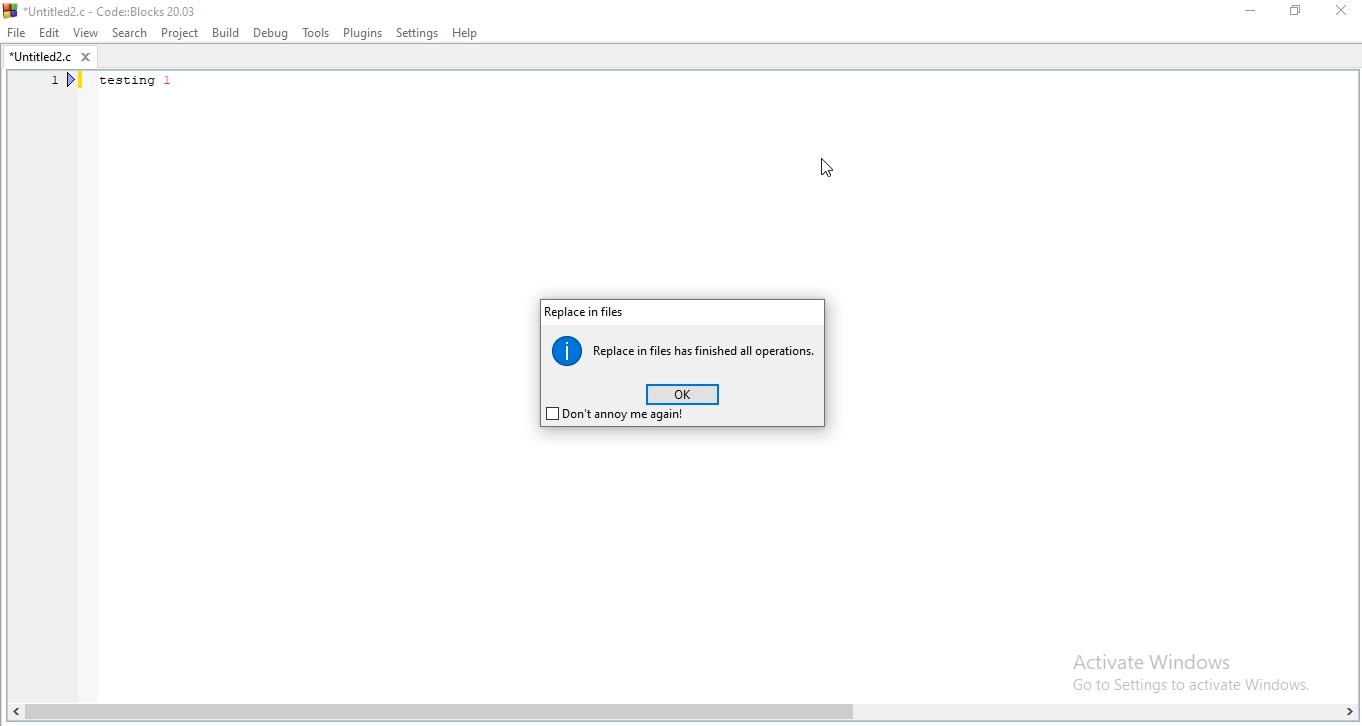 The height and width of the screenshot is (726, 1362). Describe the element at coordinates (418, 33) in the screenshot. I see `settings` at that location.